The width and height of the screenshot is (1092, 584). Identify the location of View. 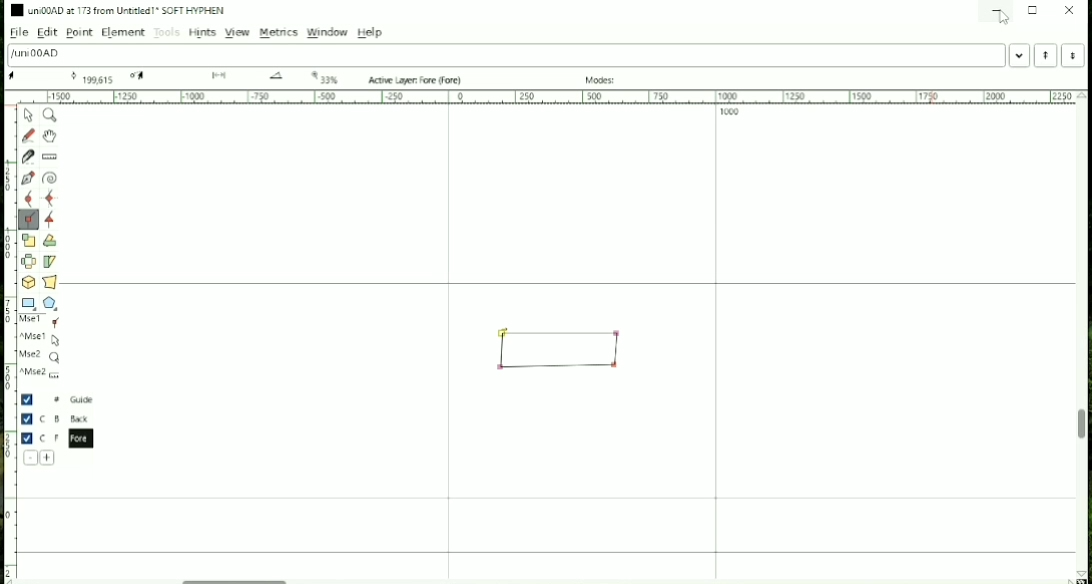
(236, 32).